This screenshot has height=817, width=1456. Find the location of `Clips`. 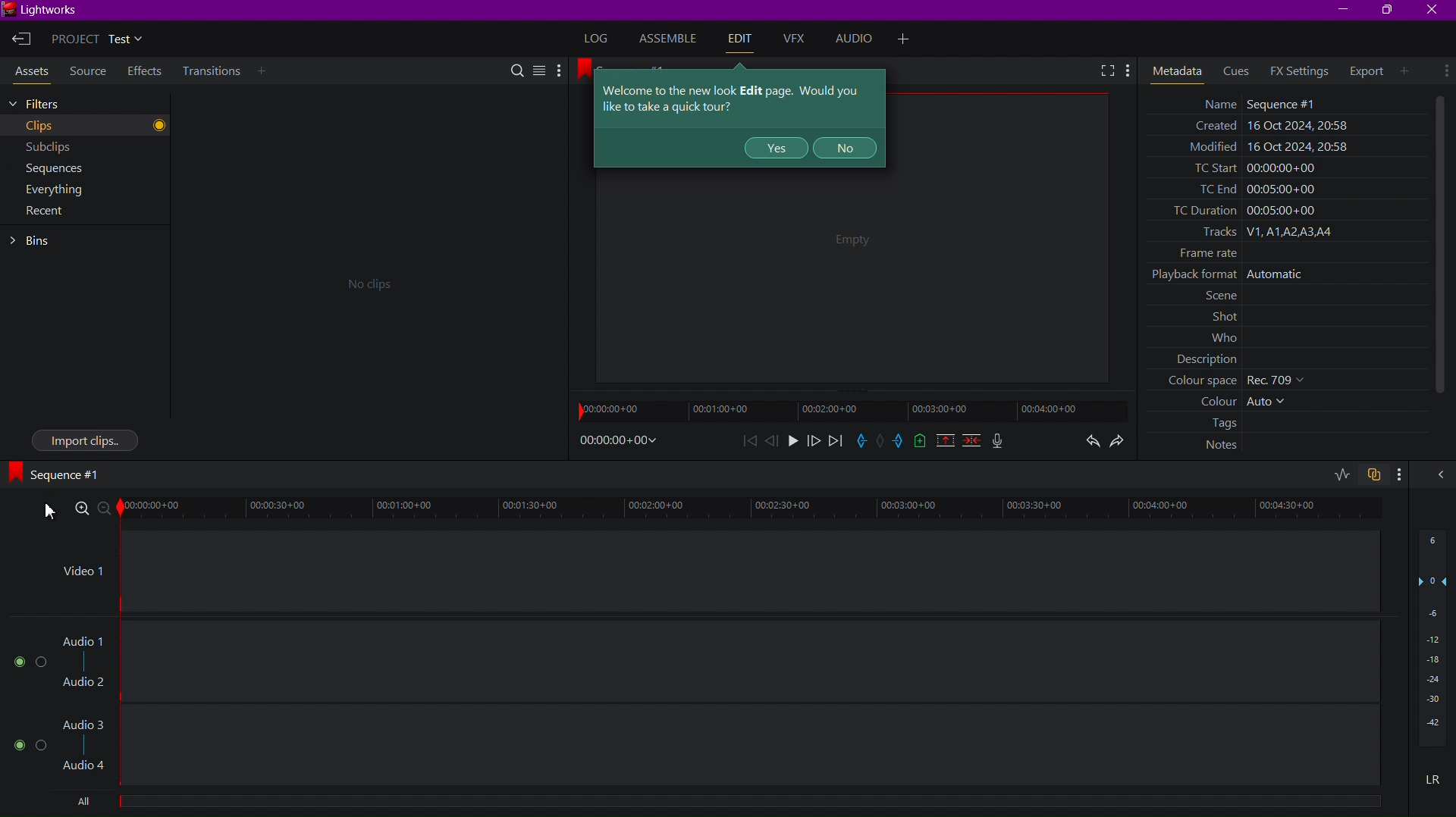

Clips is located at coordinates (36, 127).